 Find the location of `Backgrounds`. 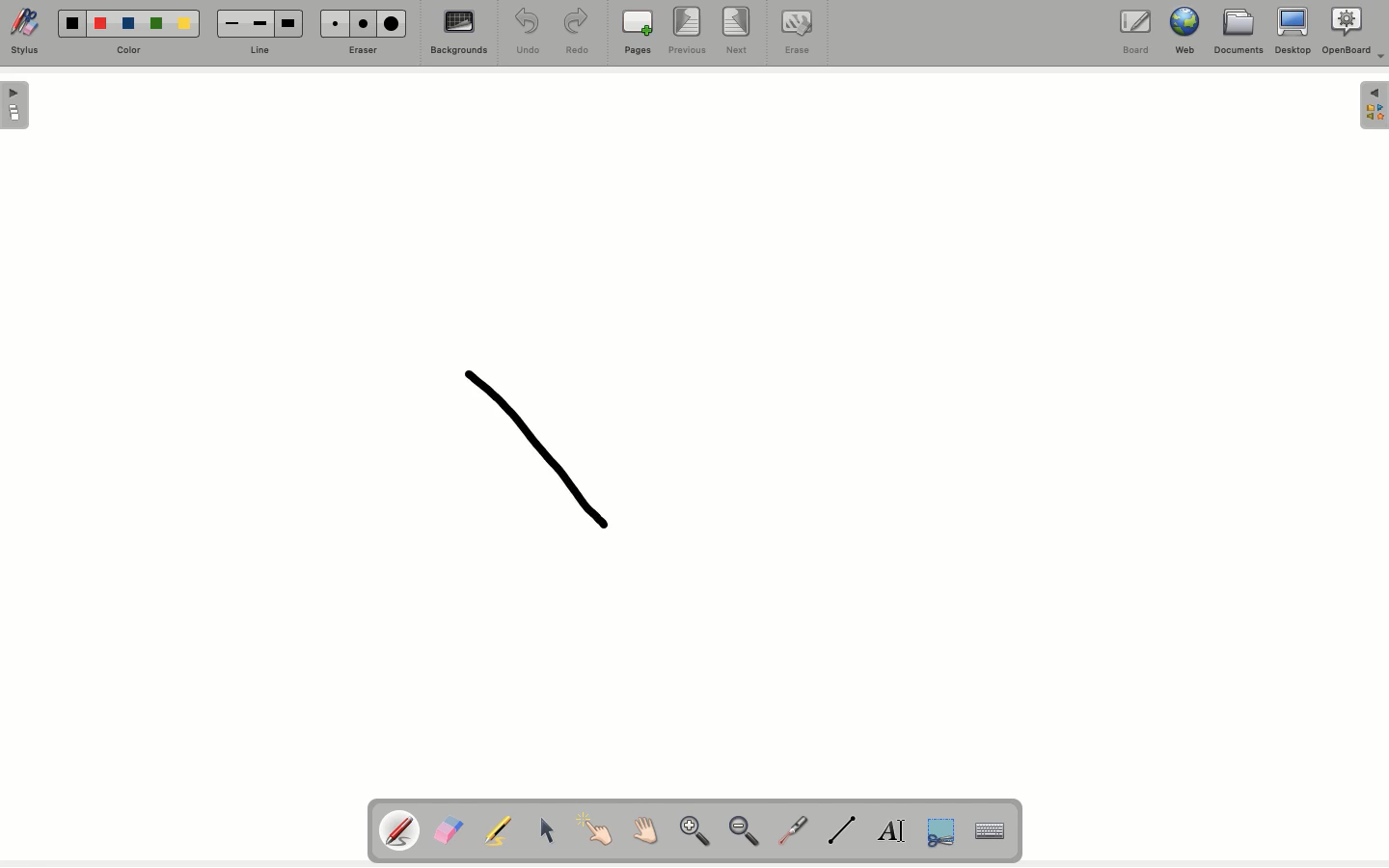

Backgrounds is located at coordinates (460, 36).